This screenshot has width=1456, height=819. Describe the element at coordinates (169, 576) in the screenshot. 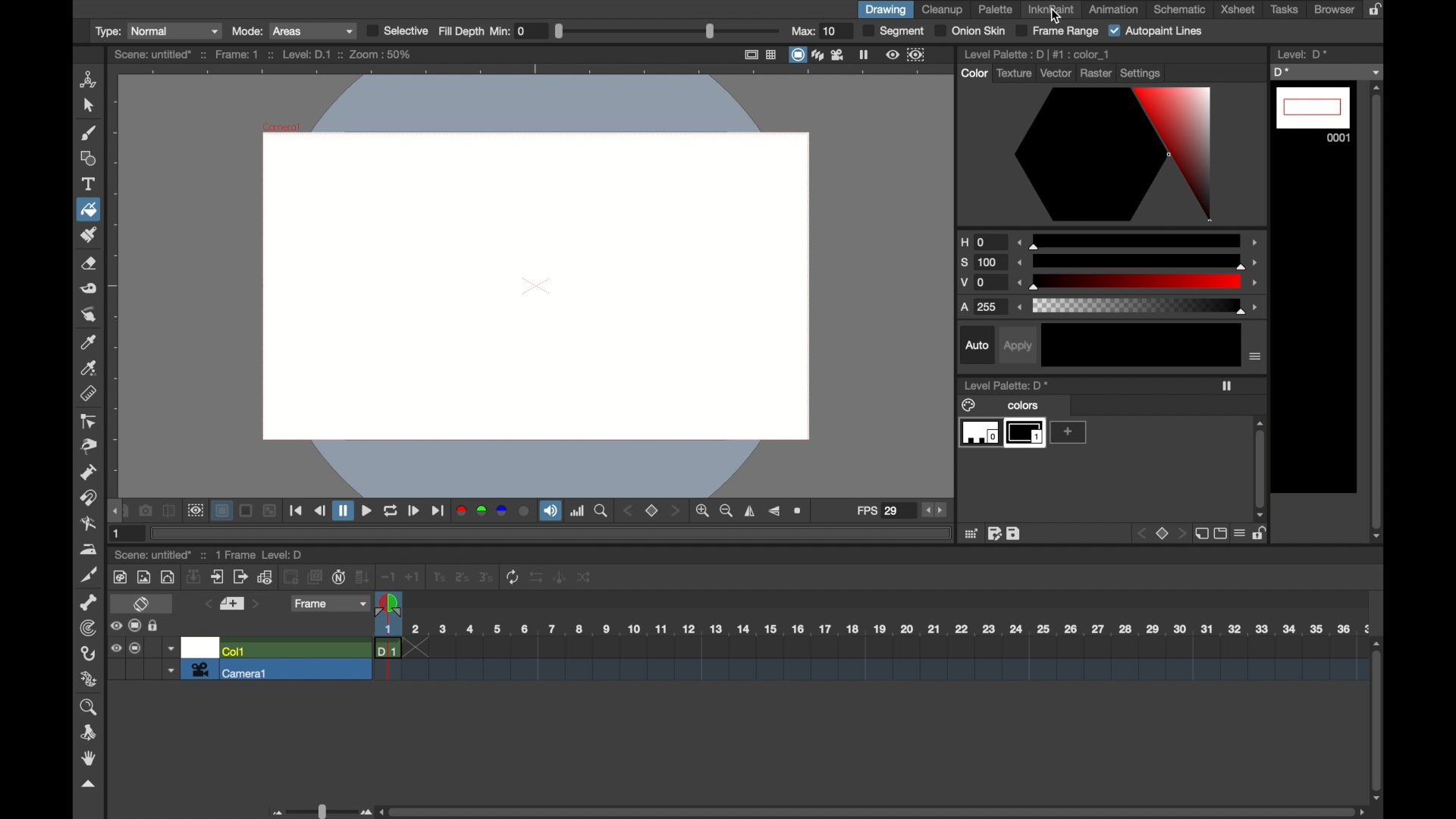

I see `circle` at that location.